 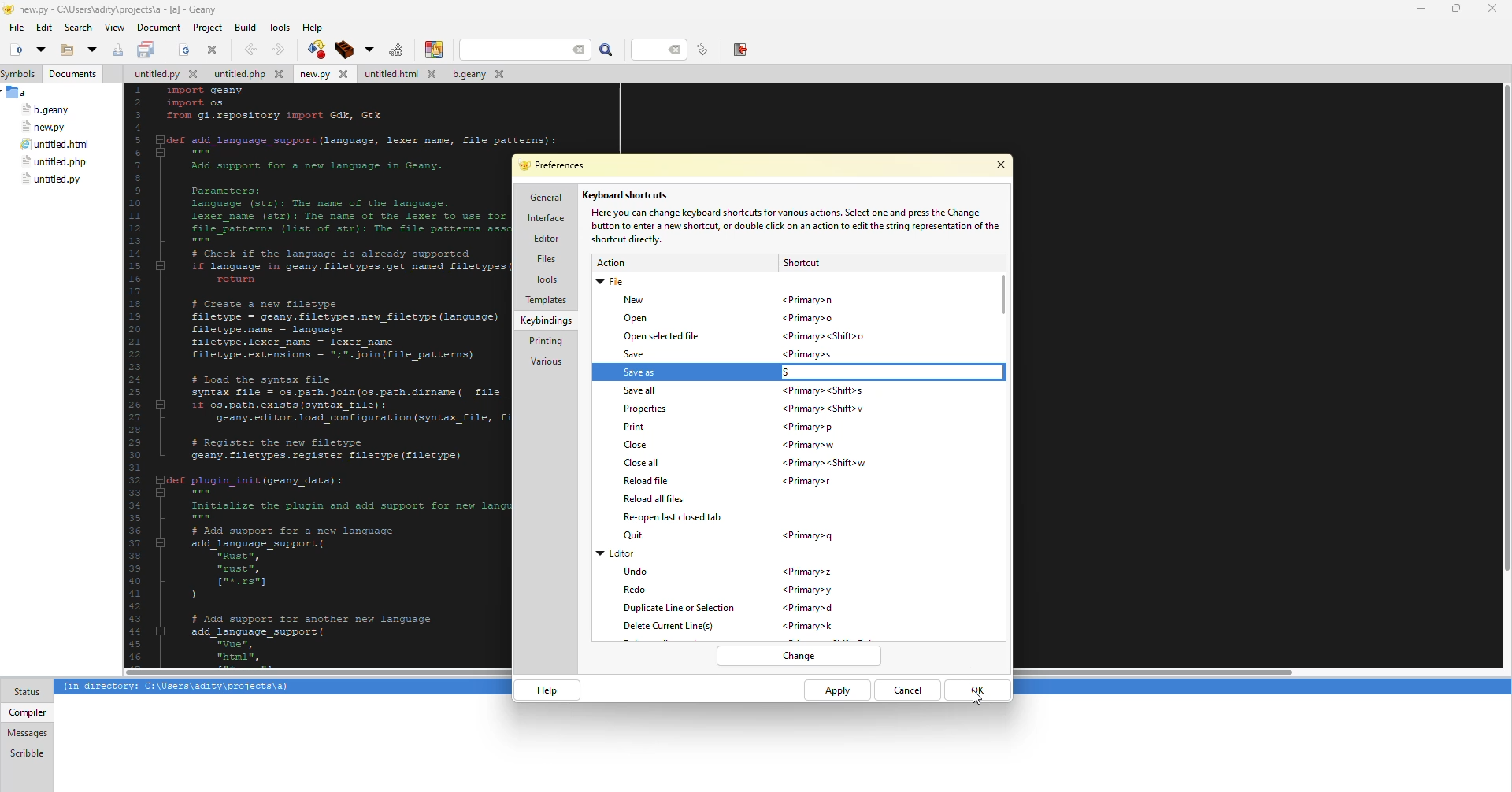 I want to click on ok, so click(x=977, y=690).